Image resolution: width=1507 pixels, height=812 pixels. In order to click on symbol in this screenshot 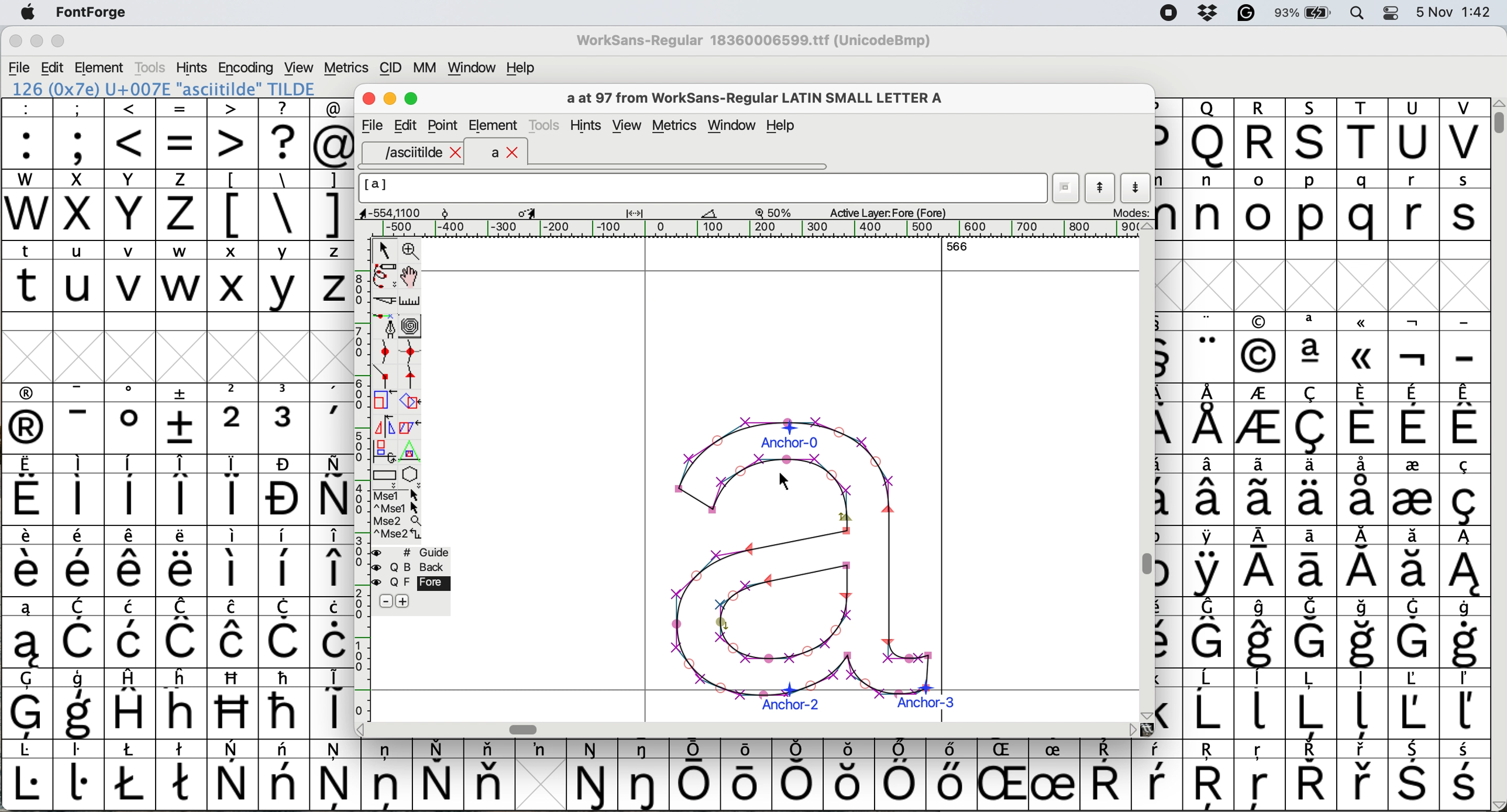, I will do `click(438, 775)`.